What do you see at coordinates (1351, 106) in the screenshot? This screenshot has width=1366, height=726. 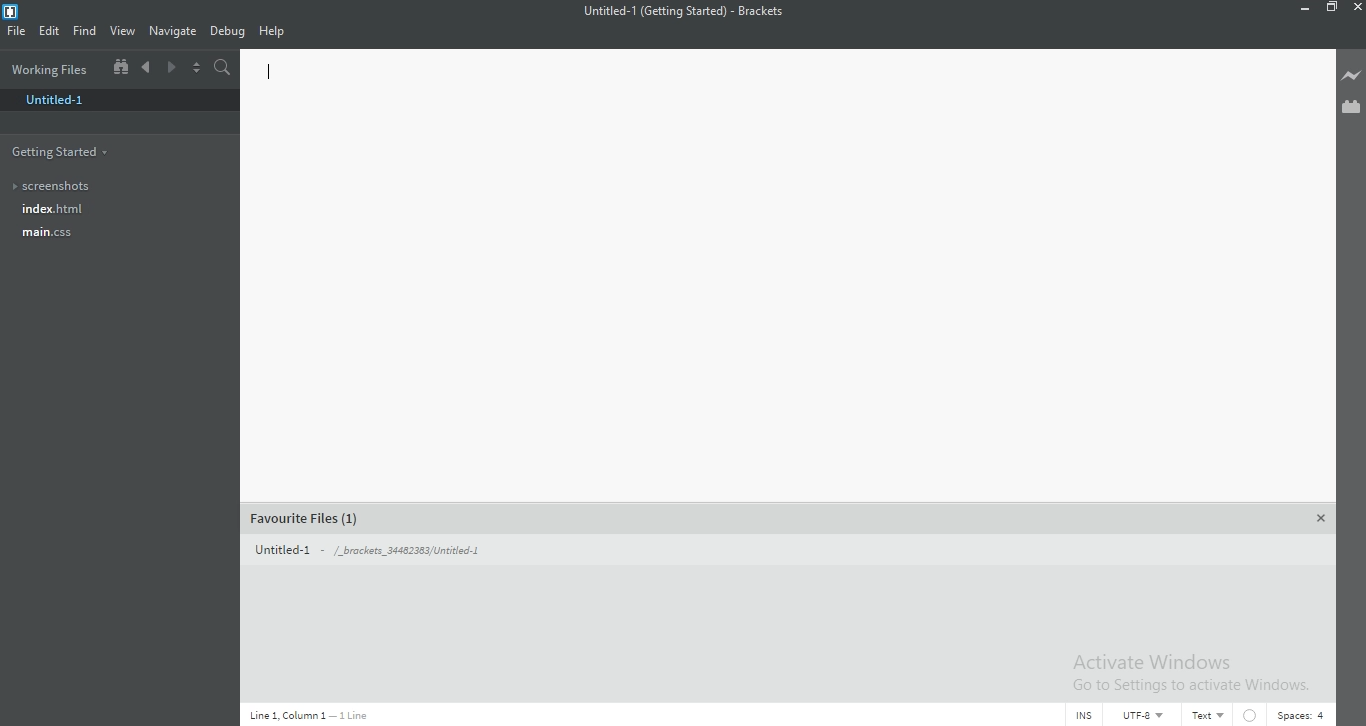 I see `Extension Manager` at bounding box center [1351, 106].